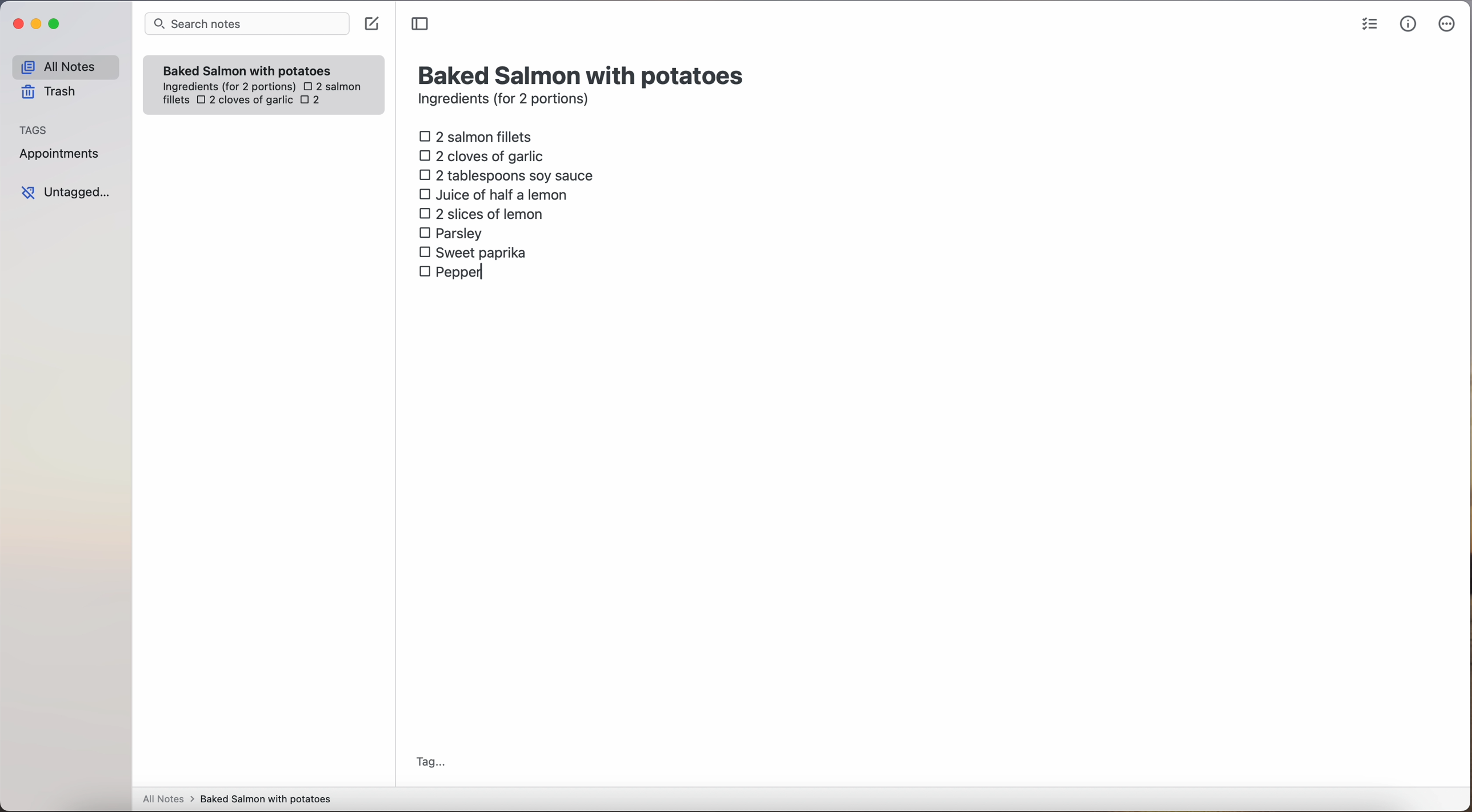  What do you see at coordinates (485, 154) in the screenshot?
I see `2 cloves of garlic` at bounding box center [485, 154].